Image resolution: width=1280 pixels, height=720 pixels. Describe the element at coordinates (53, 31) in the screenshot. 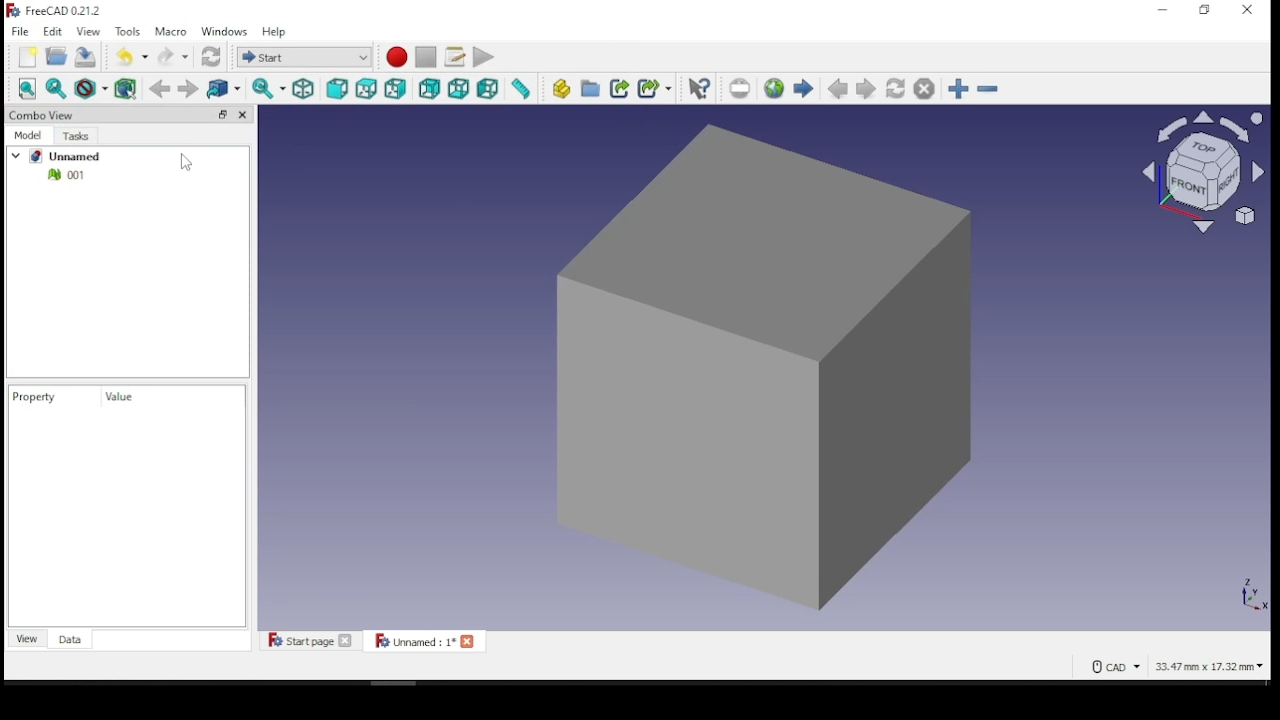

I see `edit` at that location.